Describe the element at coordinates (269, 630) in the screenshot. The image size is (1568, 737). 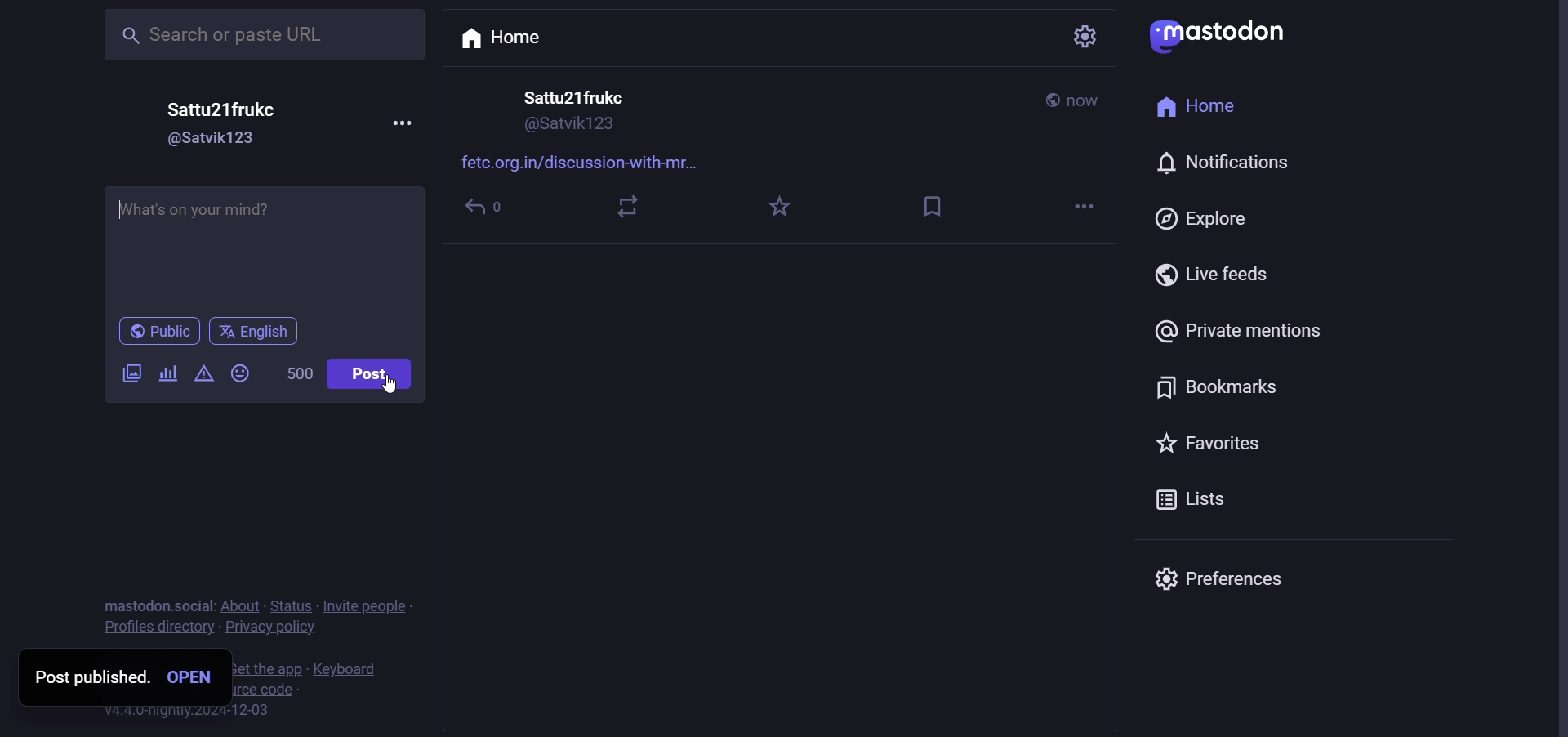
I see `privacy policy` at that location.